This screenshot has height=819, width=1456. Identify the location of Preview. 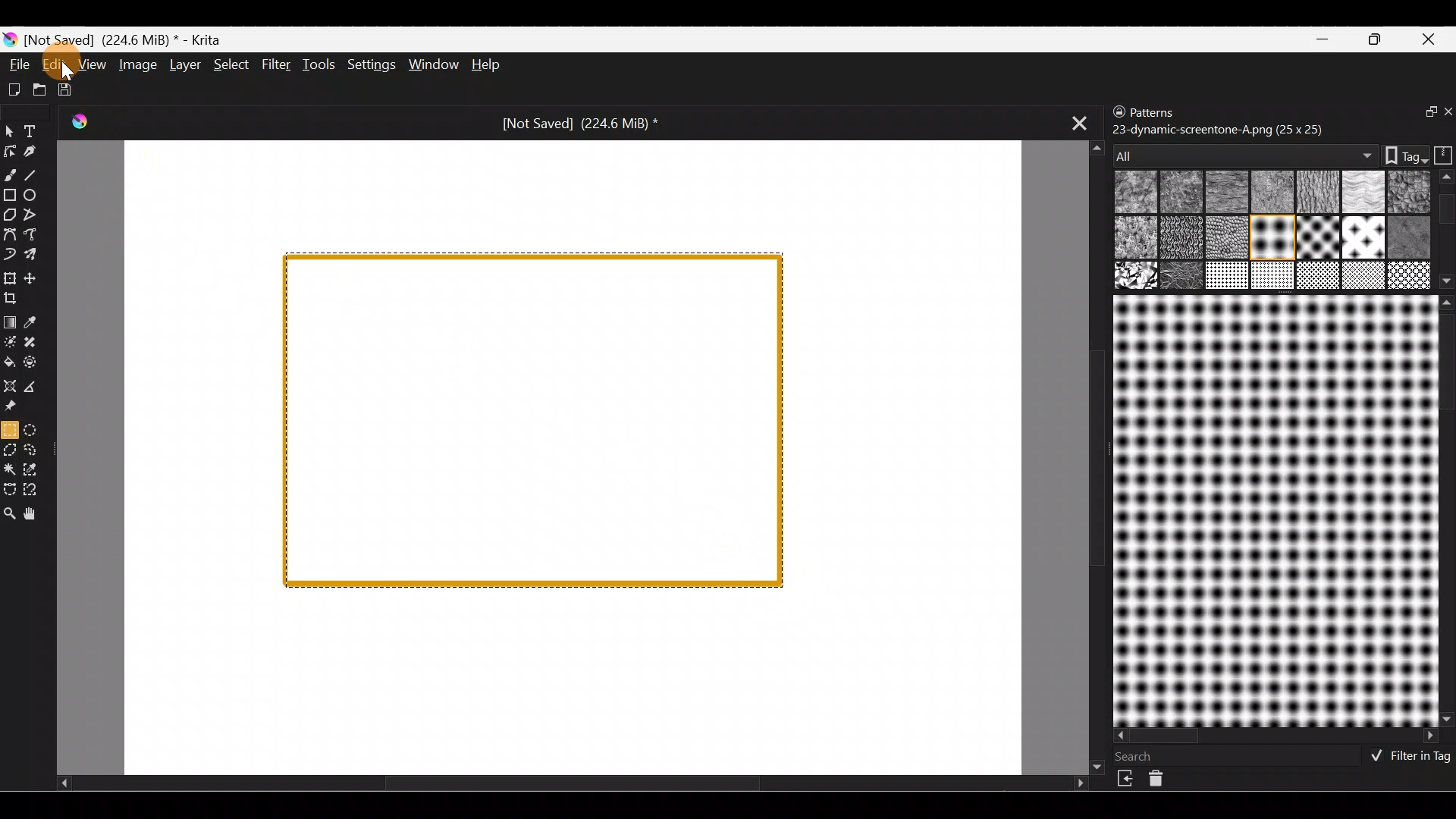
(1272, 510).